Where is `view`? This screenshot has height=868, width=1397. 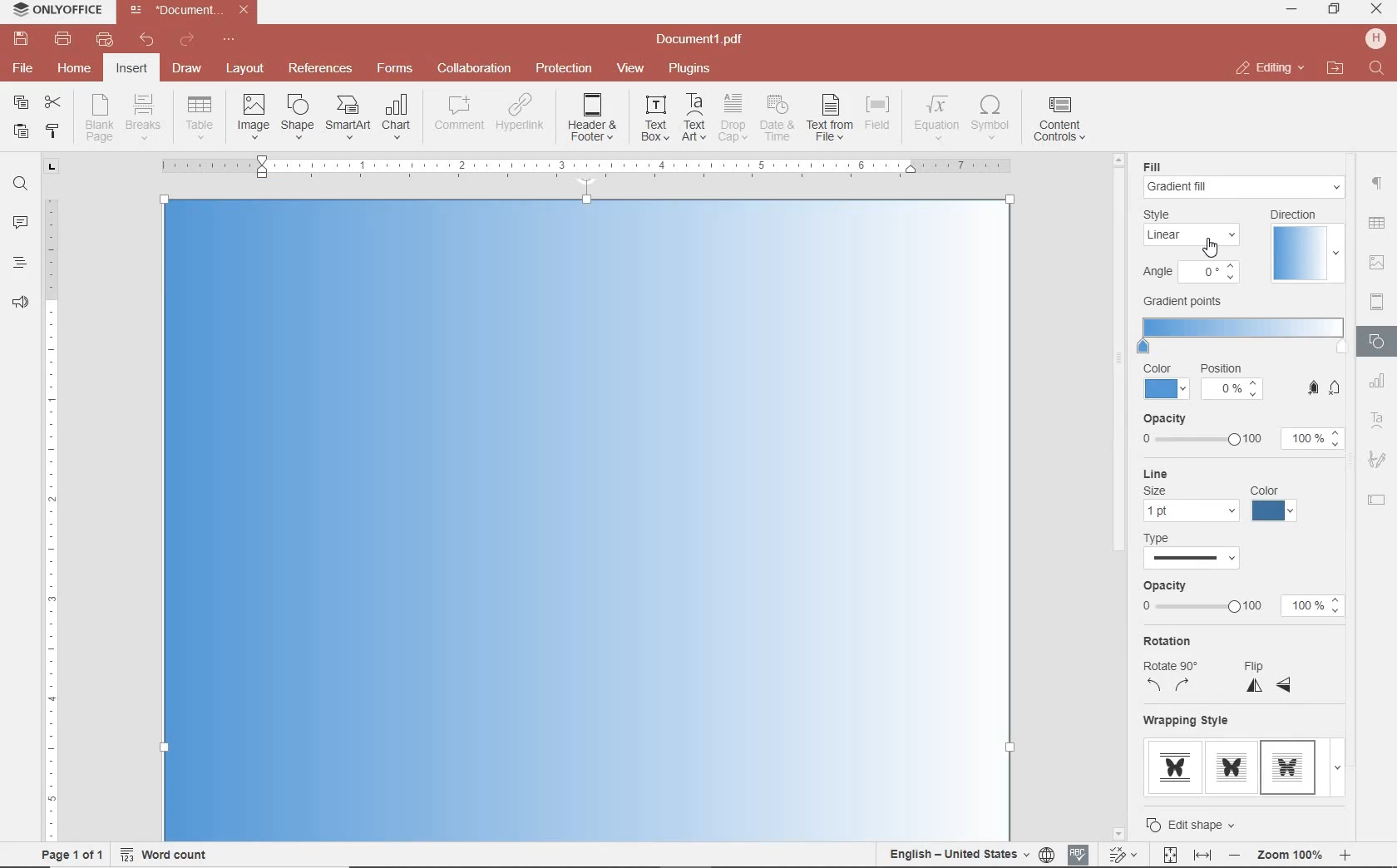
view is located at coordinates (630, 69).